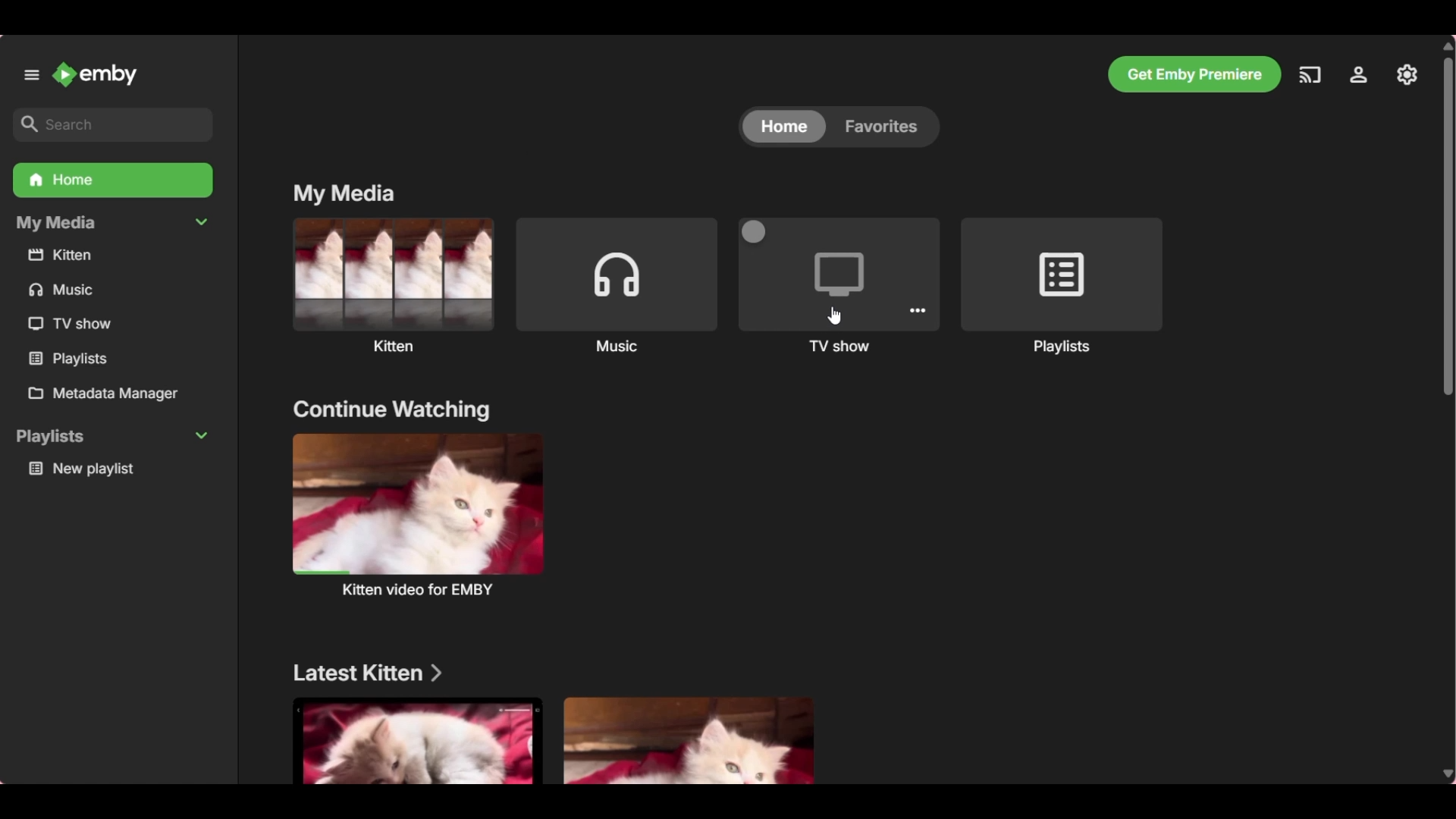 This screenshot has width=1456, height=819. What do you see at coordinates (416, 741) in the screenshot?
I see `Media under mentioned title` at bounding box center [416, 741].